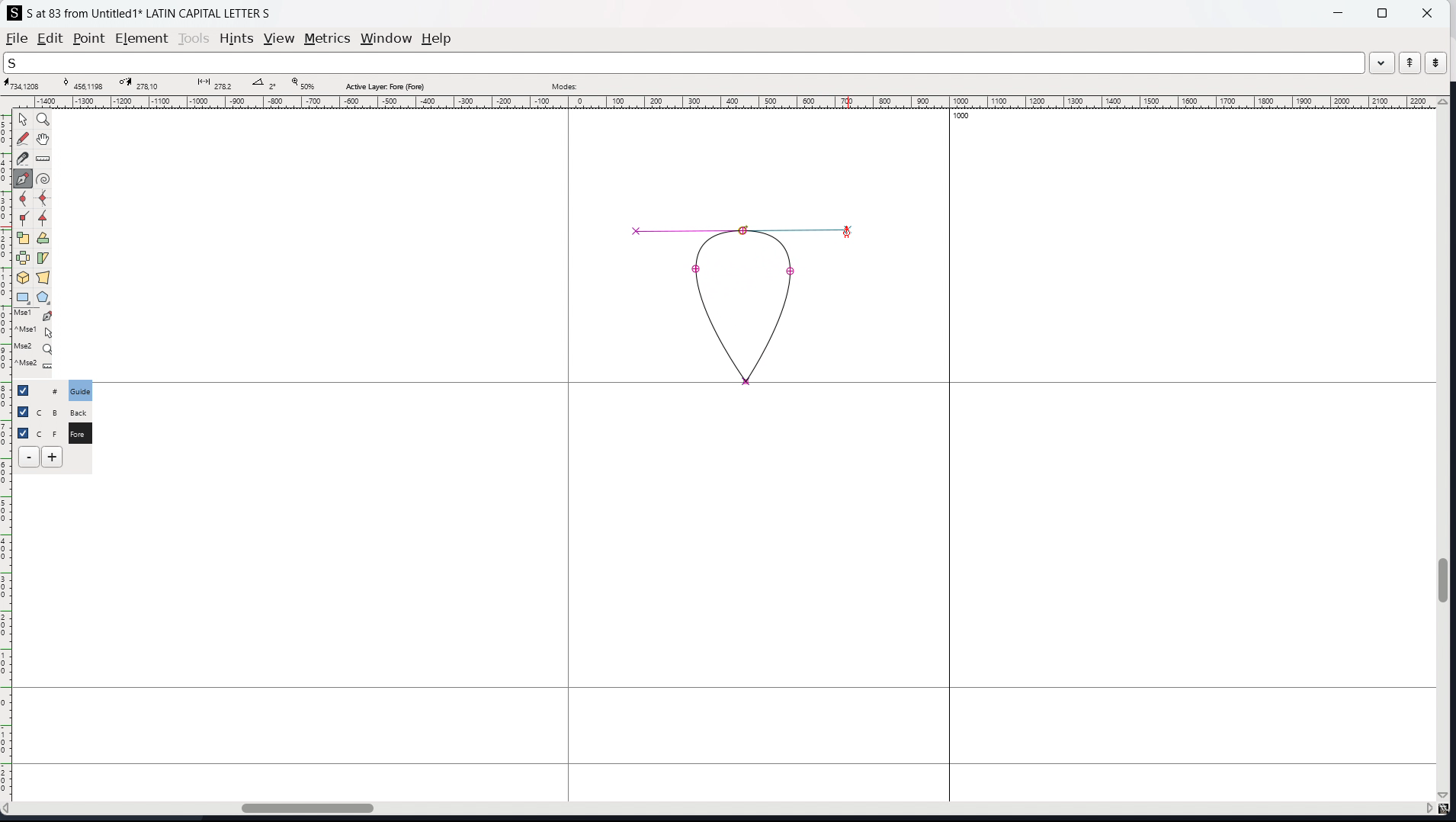 The width and height of the screenshot is (1456, 822). Describe the element at coordinates (35, 366) in the screenshot. I see `^Mse2` at that location.